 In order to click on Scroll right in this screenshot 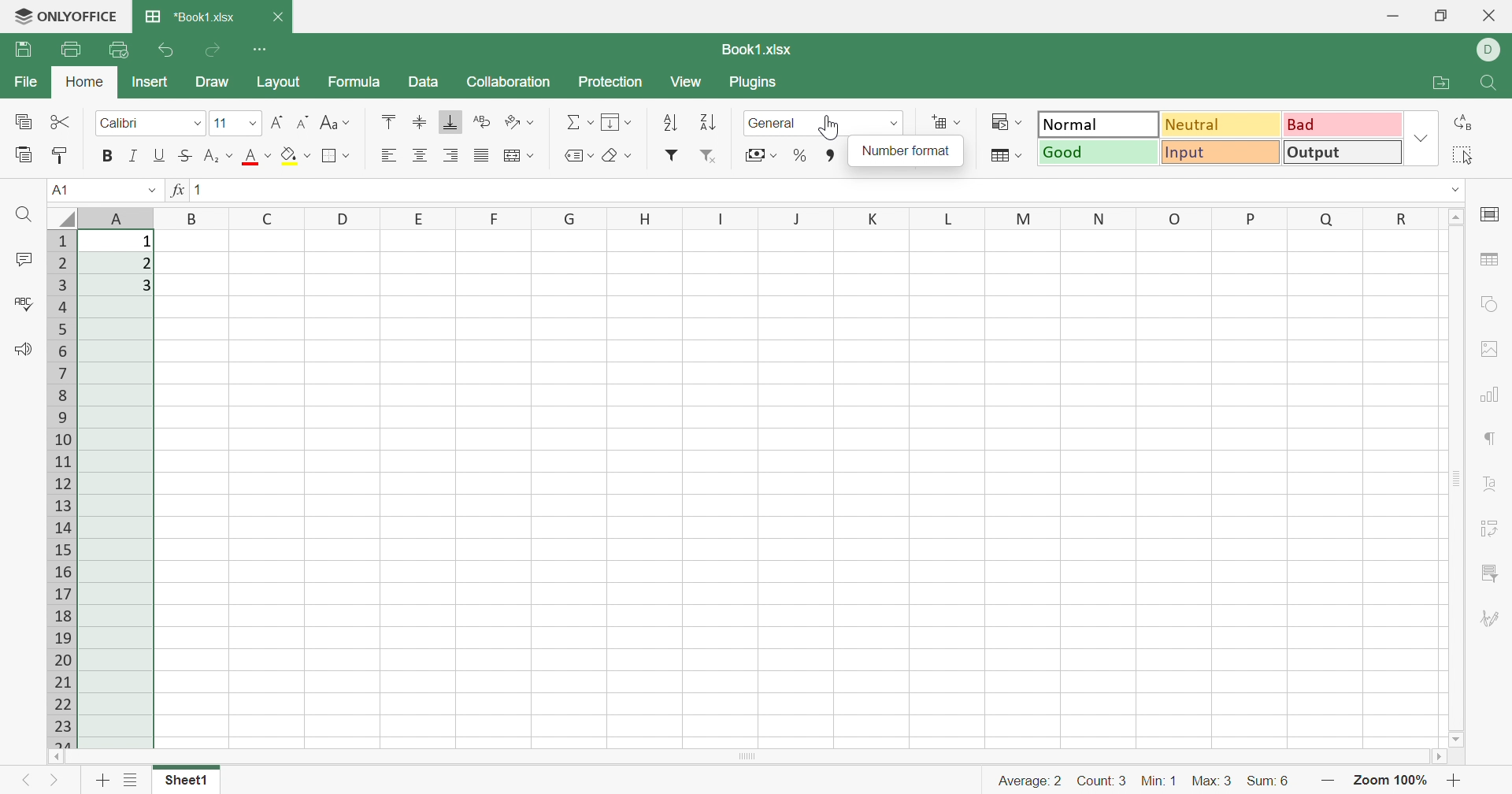, I will do `click(1441, 759)`.